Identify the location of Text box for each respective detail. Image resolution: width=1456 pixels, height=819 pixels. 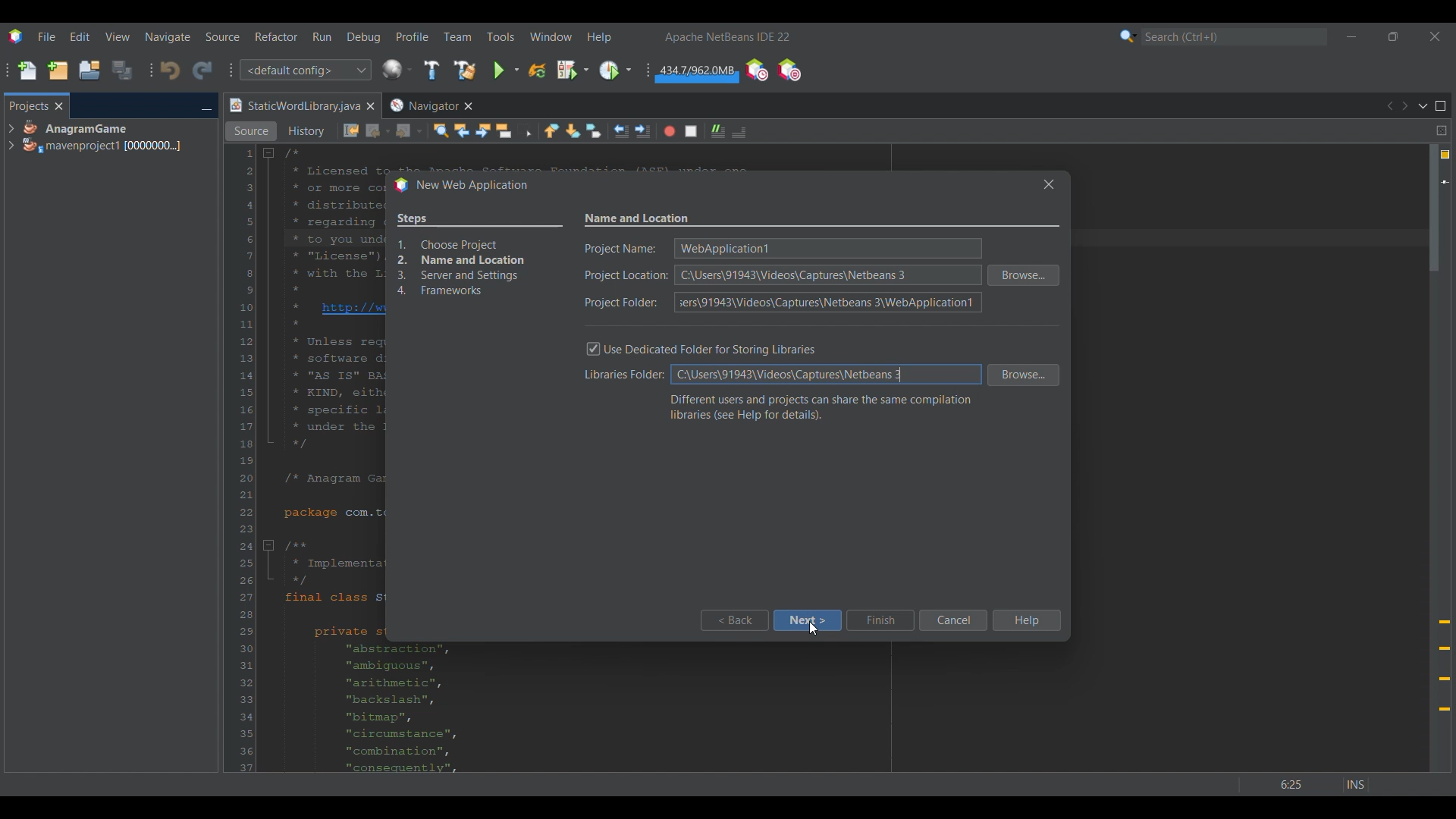
(825, 274).